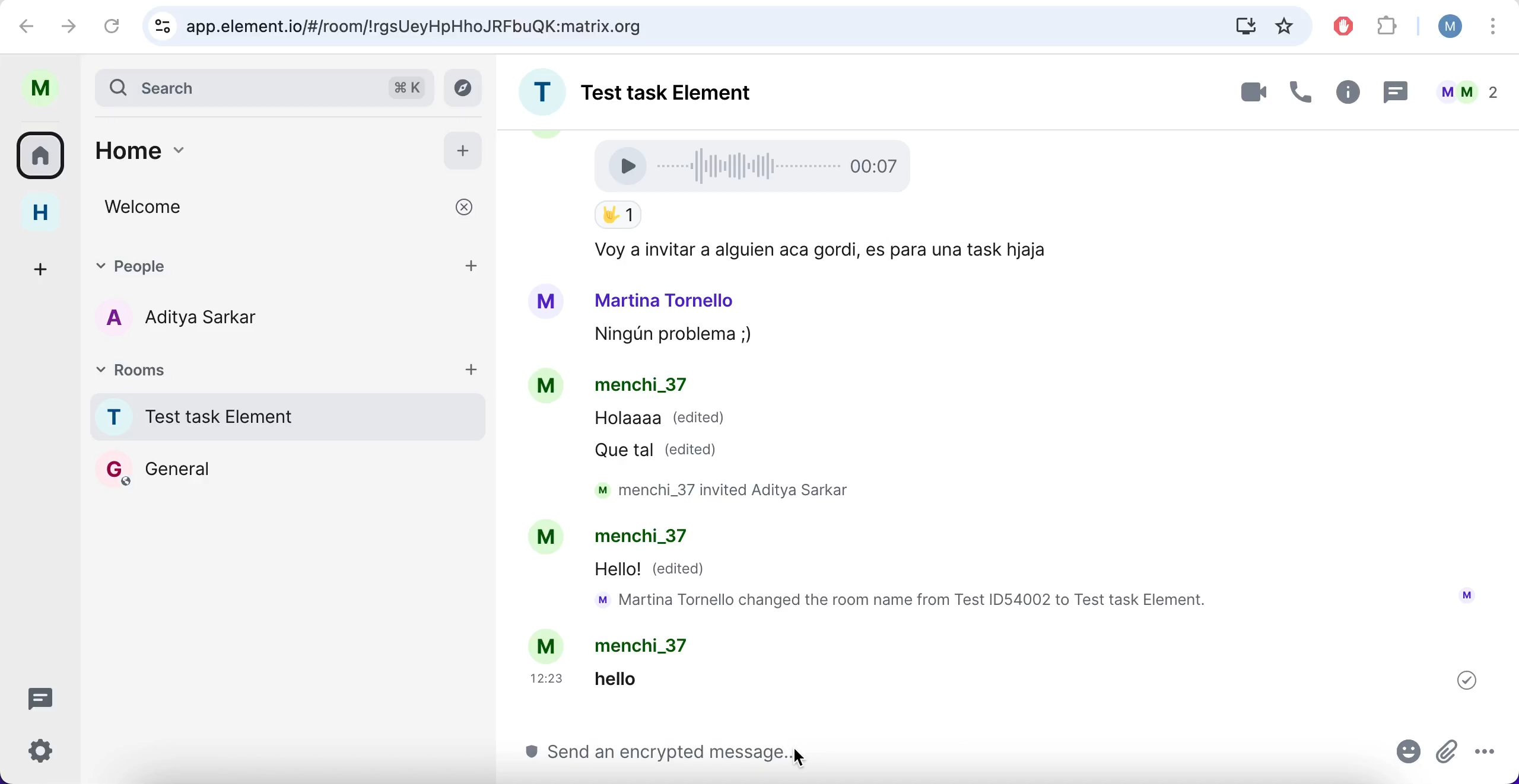 The width and height of the screenshot is (1519, 784). Describe the element at coordinates (72, 25) in the screenshot. I see `go one page forward` at that location.